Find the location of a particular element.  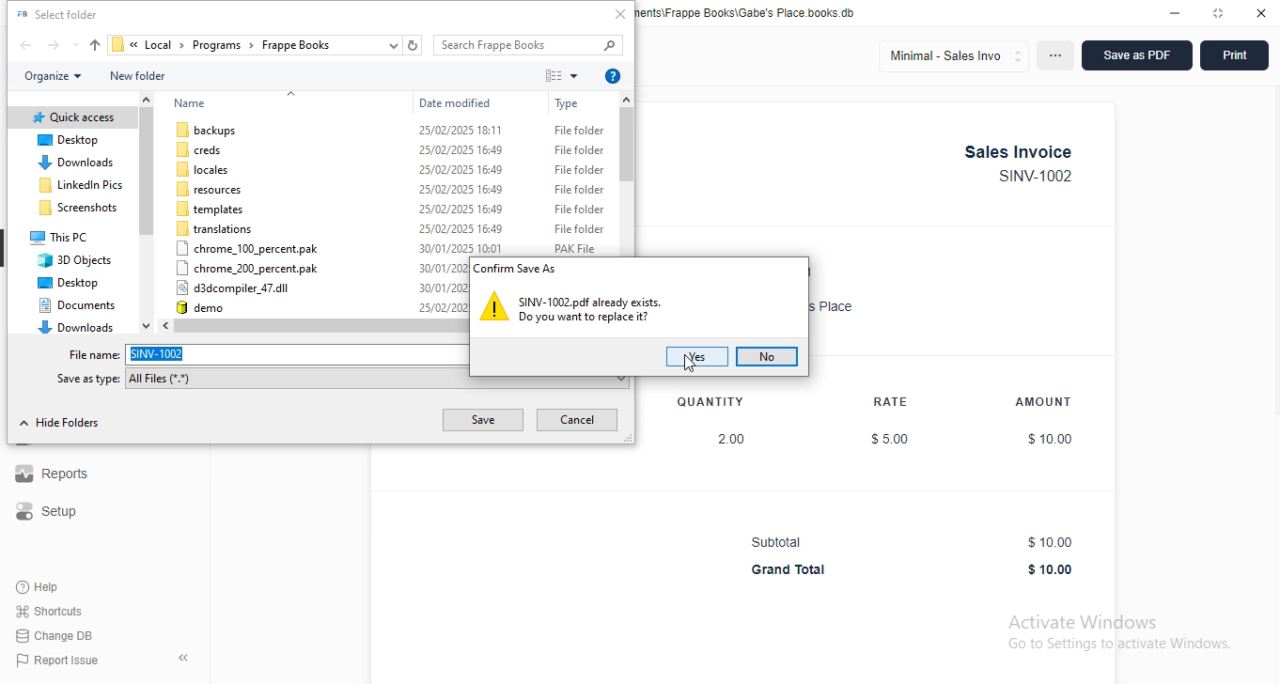

Gabe's Place - C:\Users\user\Documents\Frappe Books\Gabe's Place.books db is located at coordinates (747, 13).